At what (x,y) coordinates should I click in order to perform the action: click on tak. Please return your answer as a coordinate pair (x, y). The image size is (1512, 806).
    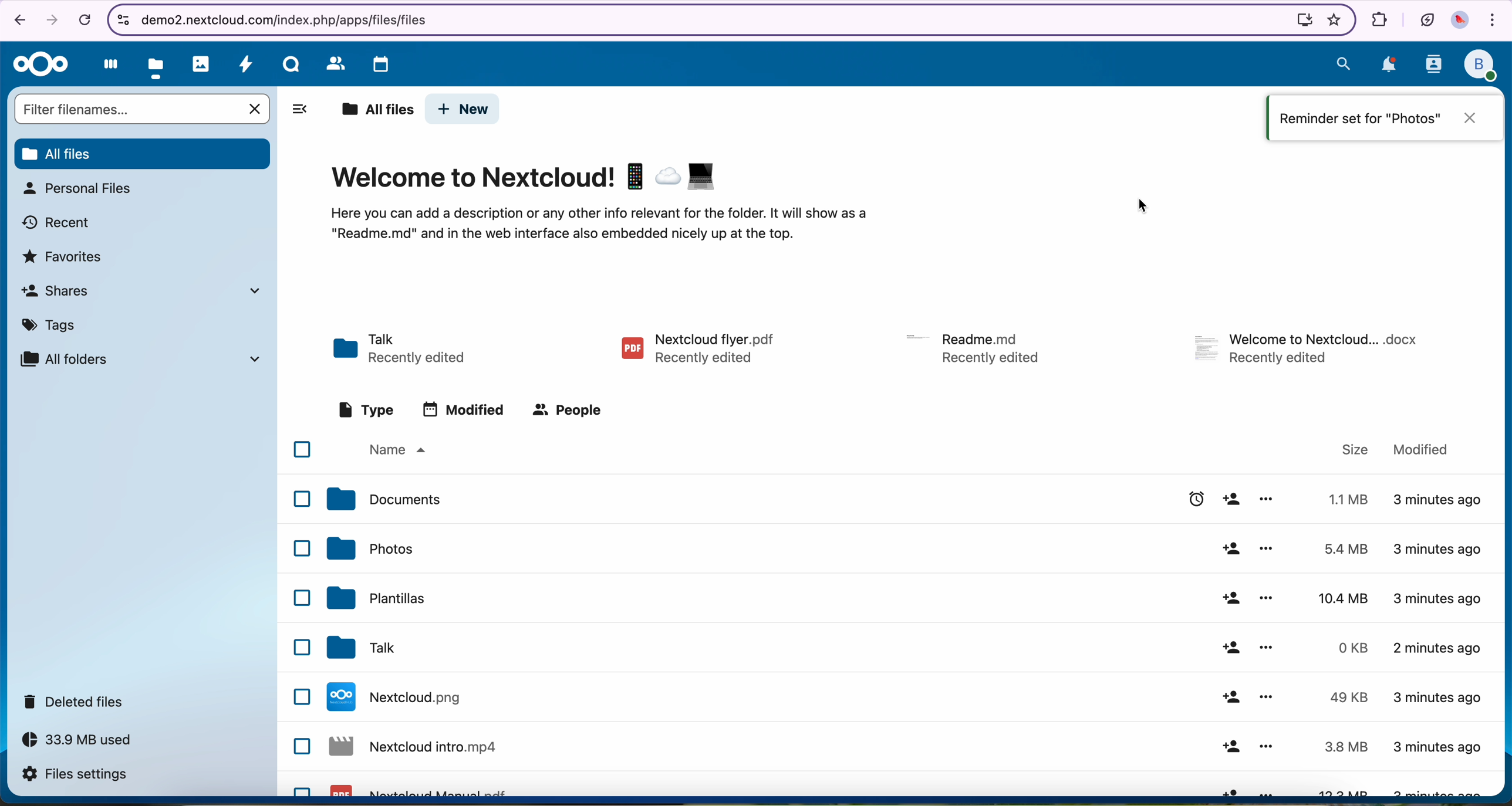
    Looking at the image, I should click on (367, 648).